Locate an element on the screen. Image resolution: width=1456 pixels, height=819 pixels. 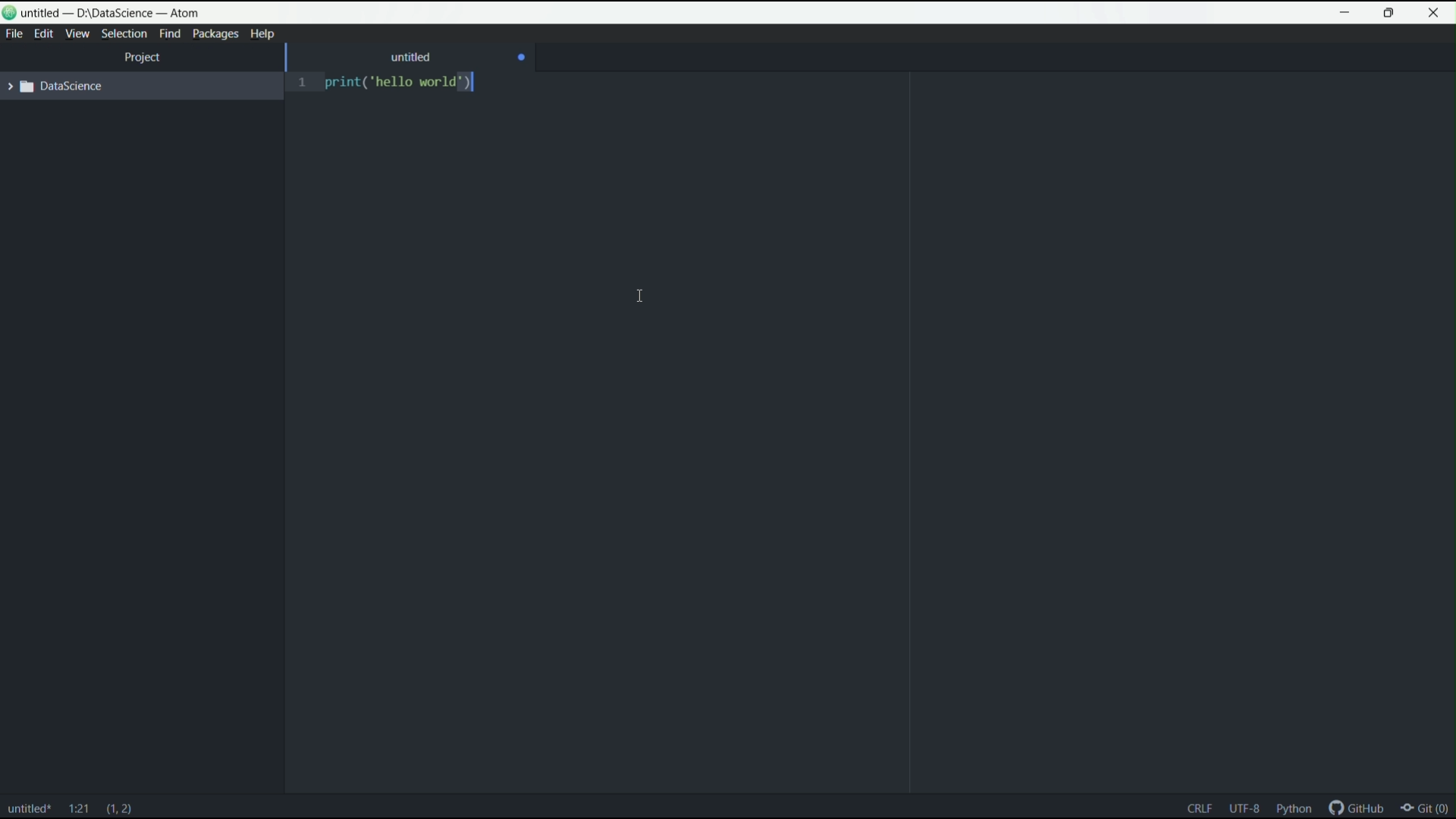
line and column is located at coordinates (79, 809).